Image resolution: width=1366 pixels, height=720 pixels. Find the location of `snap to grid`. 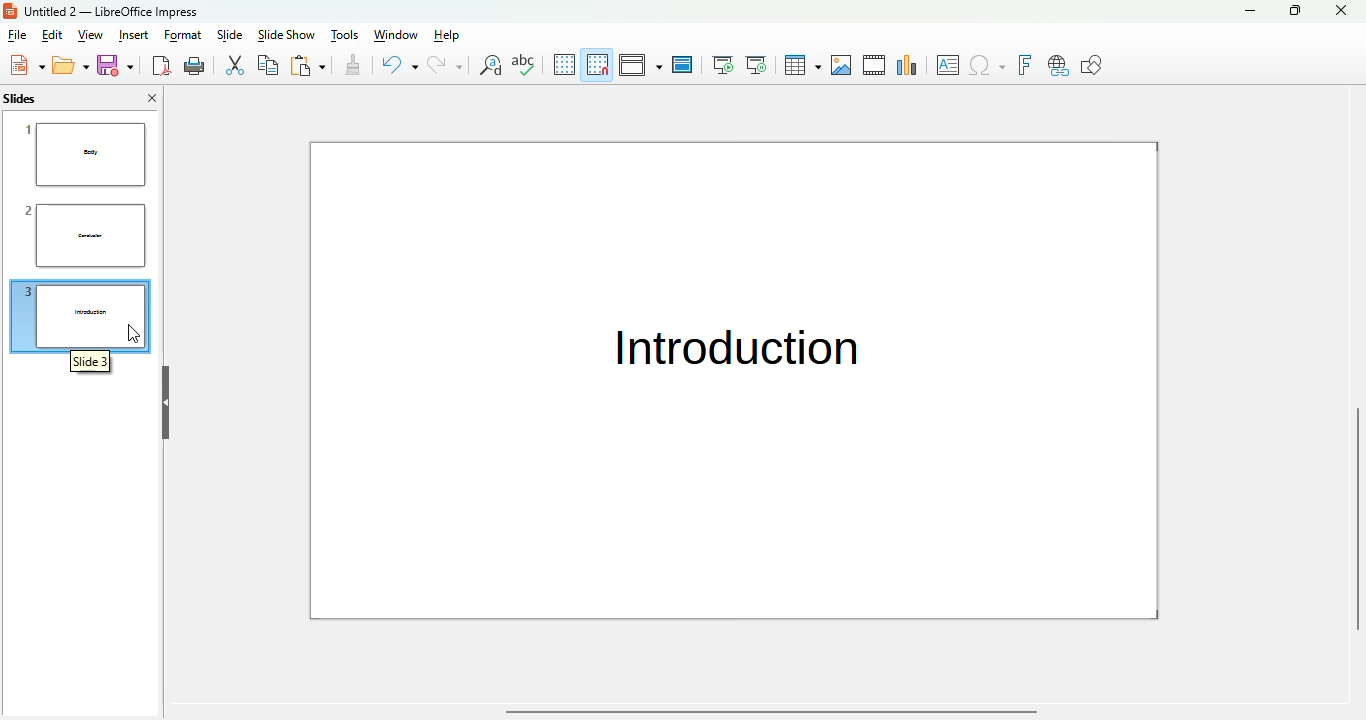

snap to grid is located at coordinates (598, 64).